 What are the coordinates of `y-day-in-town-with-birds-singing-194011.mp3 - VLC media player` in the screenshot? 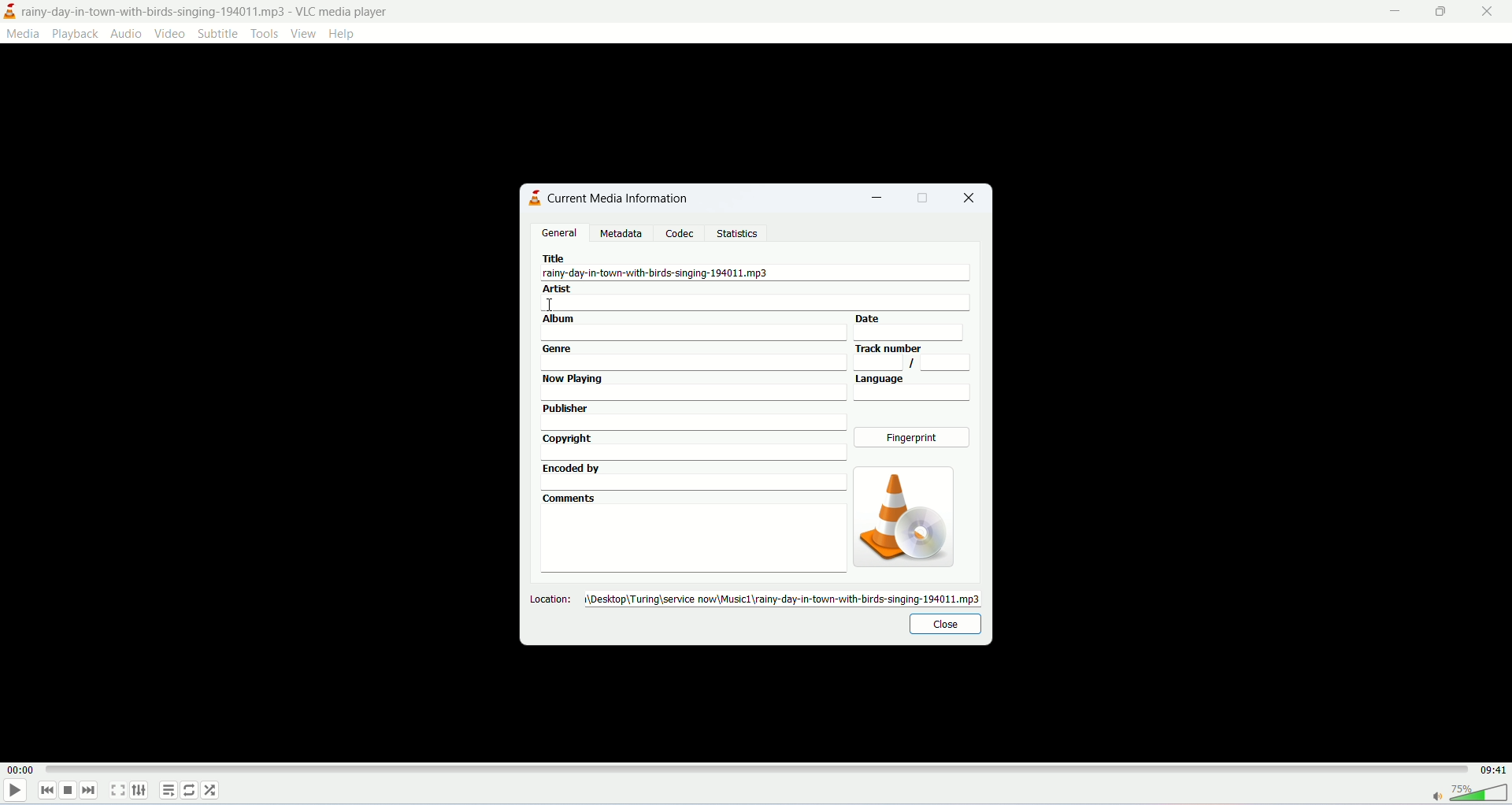 It's located at (224, 11).